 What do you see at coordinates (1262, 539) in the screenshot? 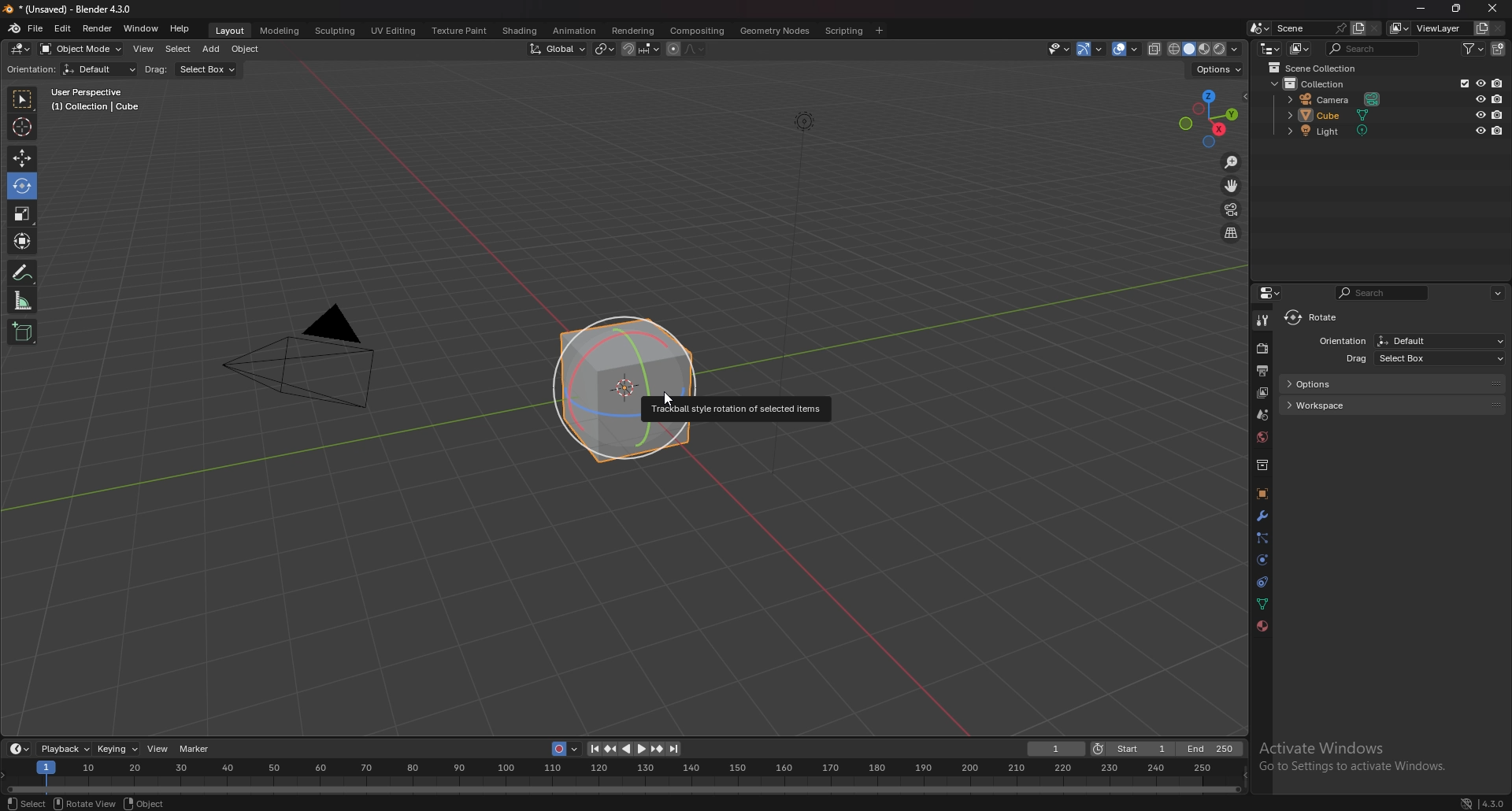
I see `particles` at bounding box center [1262, 539].